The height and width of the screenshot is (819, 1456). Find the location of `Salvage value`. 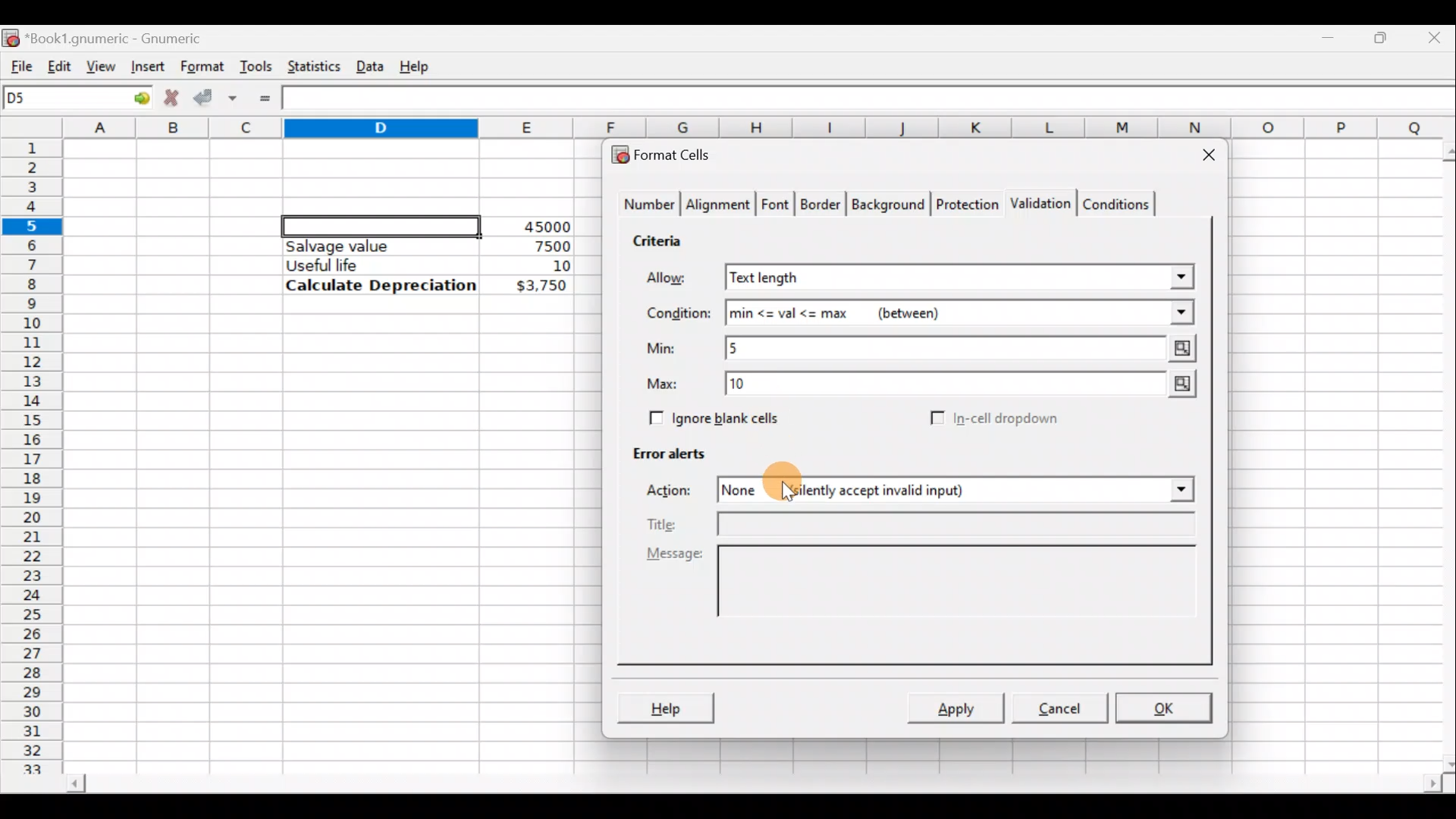

Salvage value is located at coordinates (367, 246).